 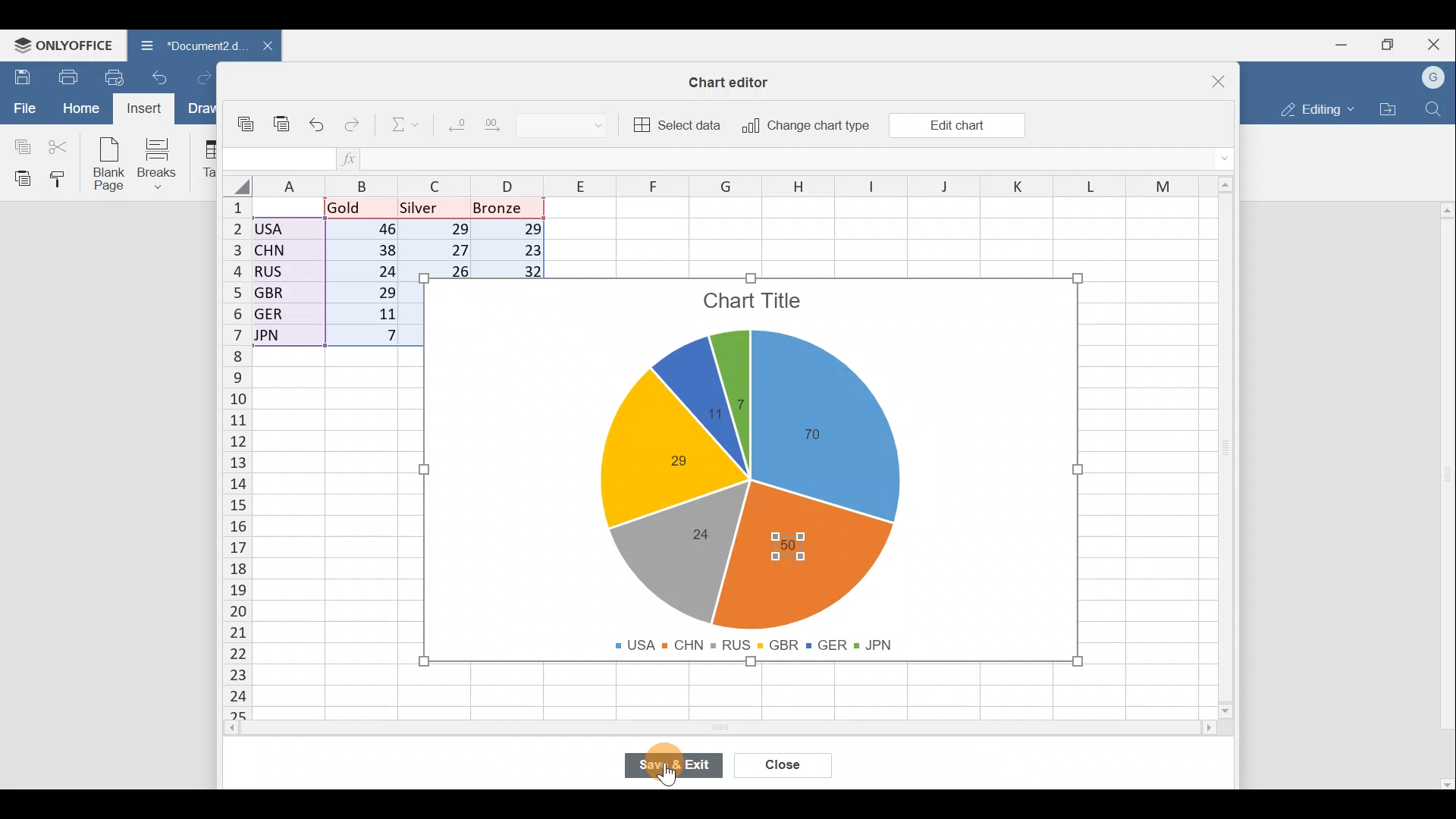 I want to click on Copy style, so click(x=64, y=178).